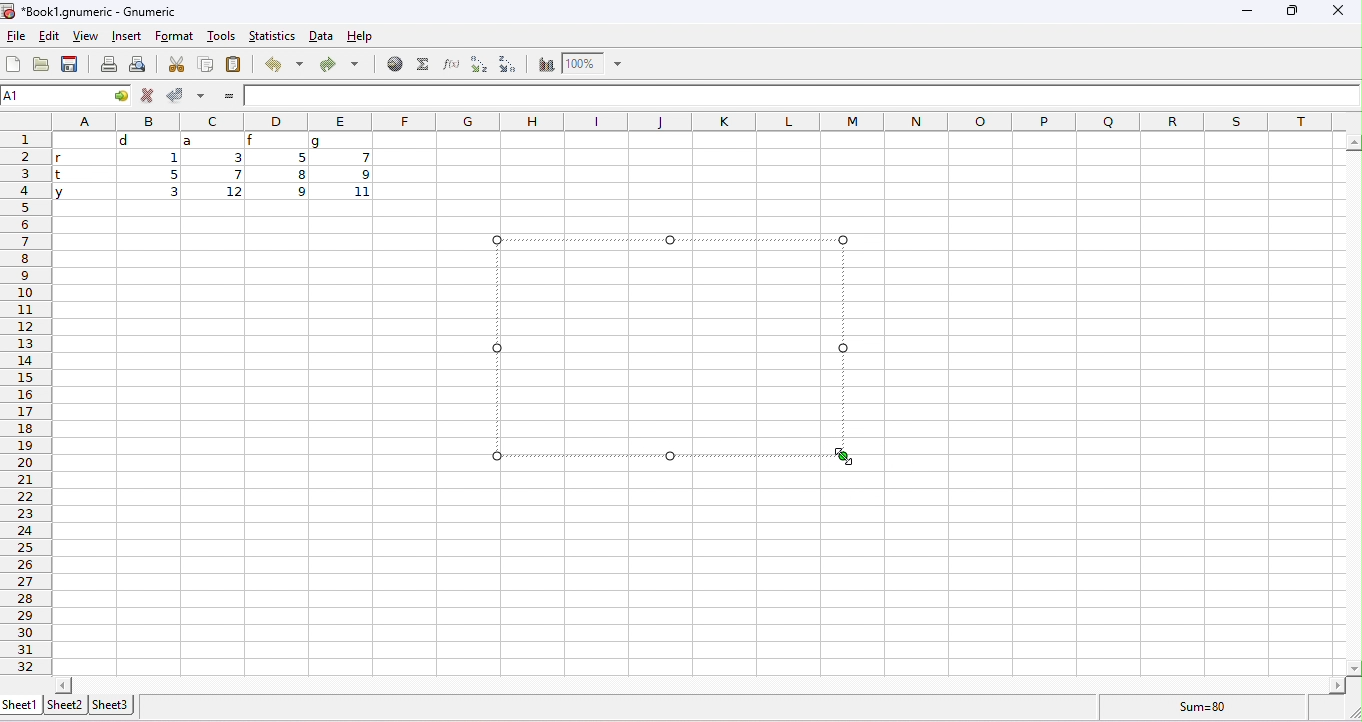  What do you see at coordinates (421, 64) in the screenshot?
I see `select function` at bounding box center [421, 64].